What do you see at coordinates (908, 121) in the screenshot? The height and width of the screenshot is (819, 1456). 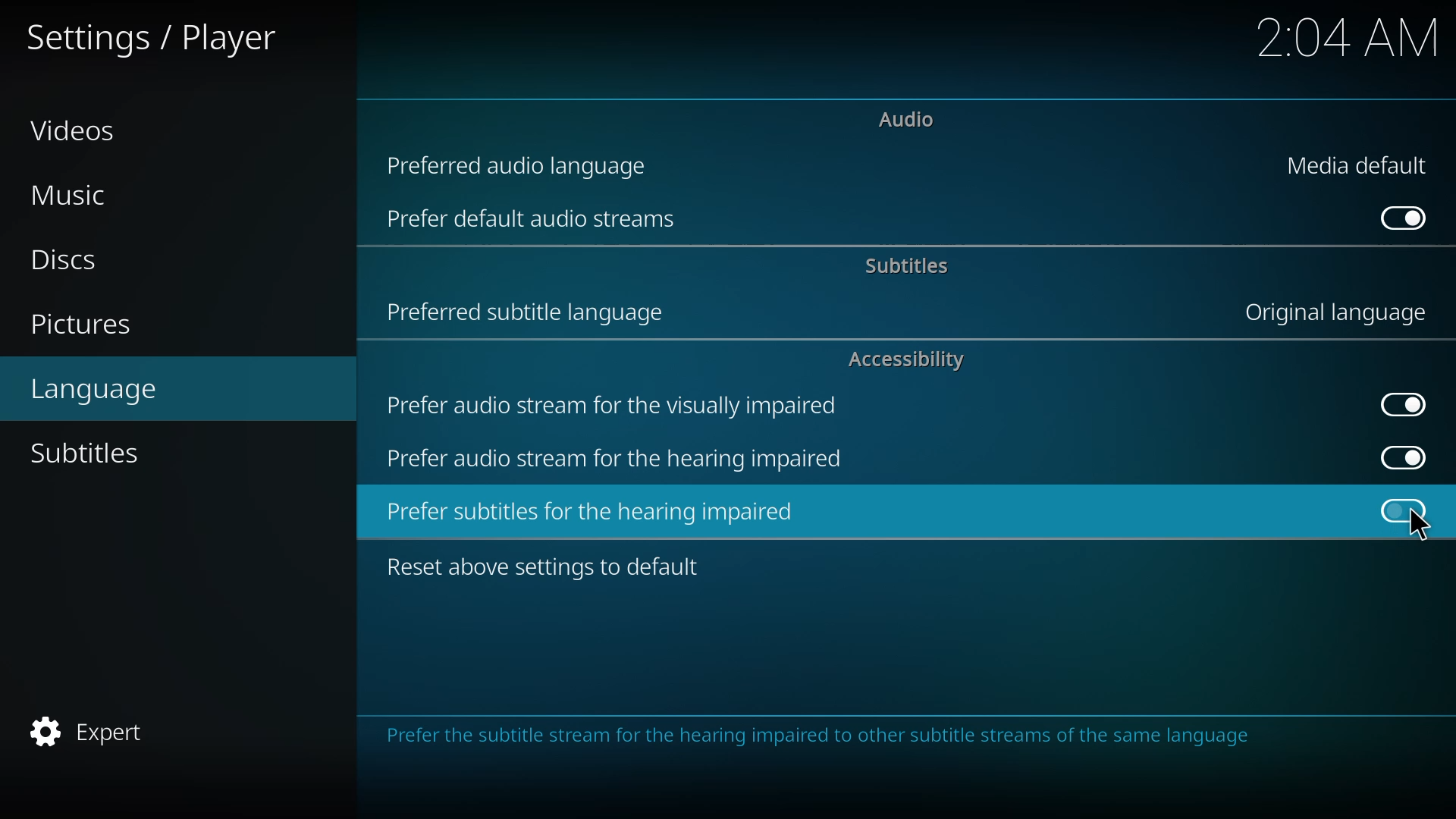 I see `audio` at bounding box center [908, 121].